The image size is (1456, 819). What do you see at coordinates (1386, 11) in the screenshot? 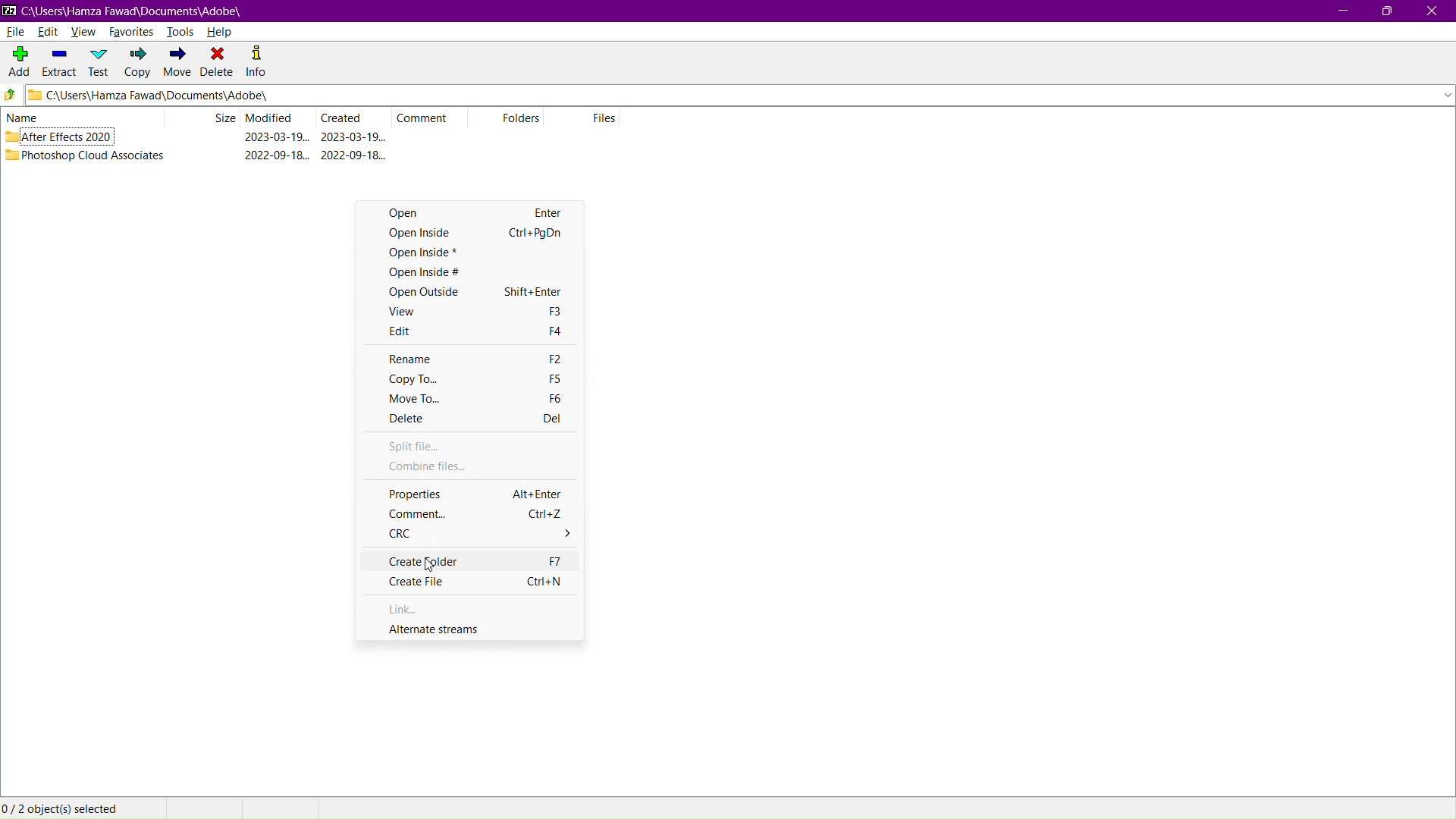
I see `Maximize` at bounding box center [1386, 11].